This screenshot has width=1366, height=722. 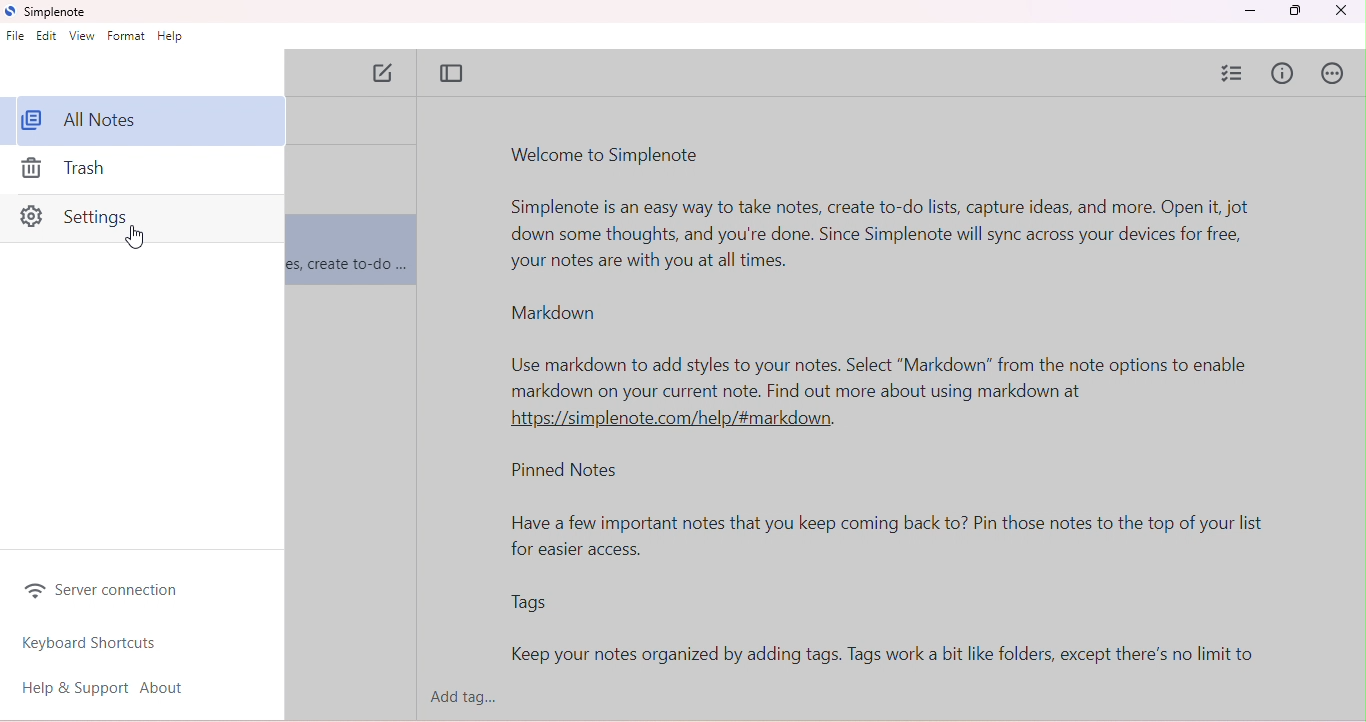 I want to click on close, so click(x=1346, y=11).